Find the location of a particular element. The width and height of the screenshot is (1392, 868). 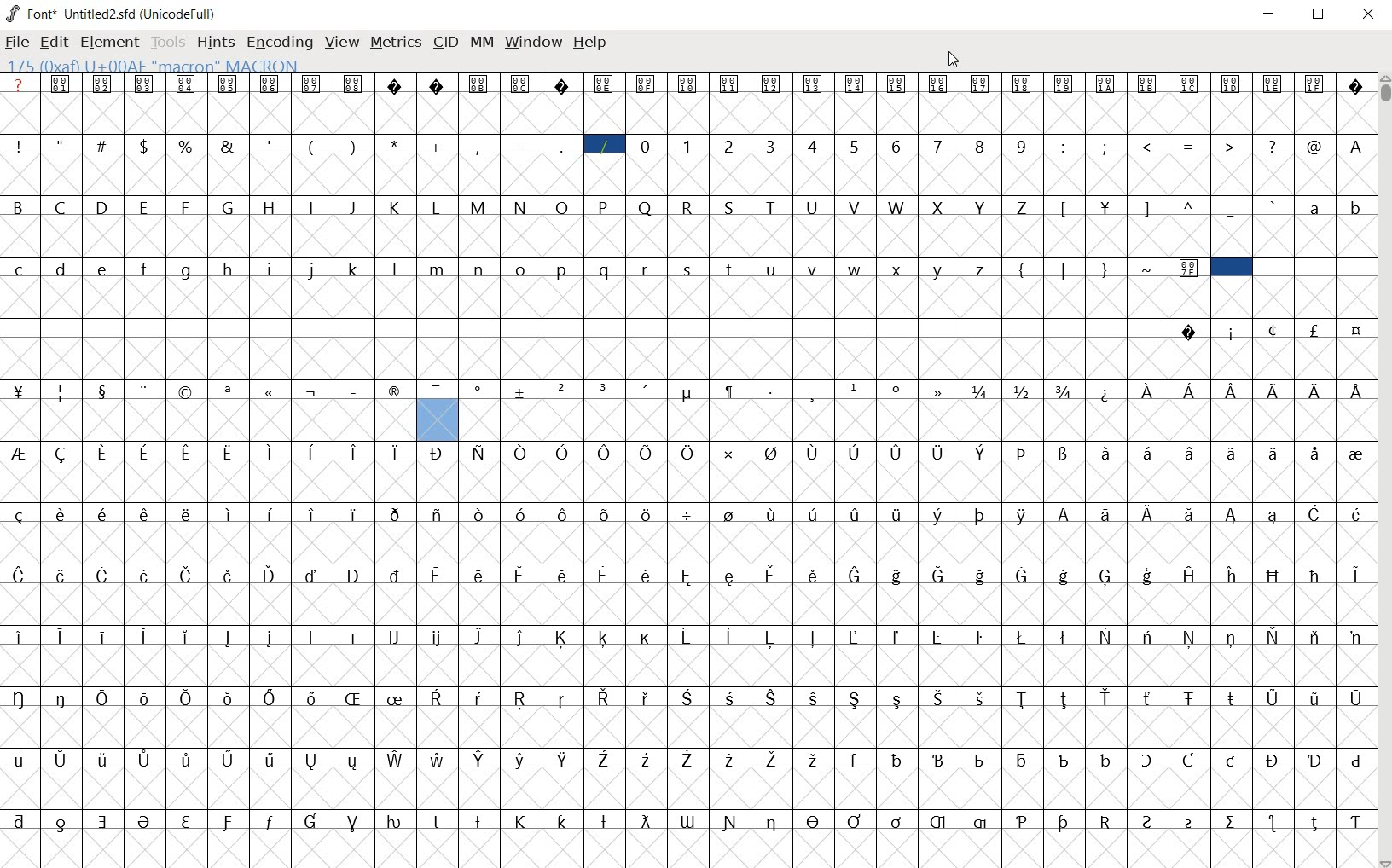

Symbol is located at coordinates (687, 758).